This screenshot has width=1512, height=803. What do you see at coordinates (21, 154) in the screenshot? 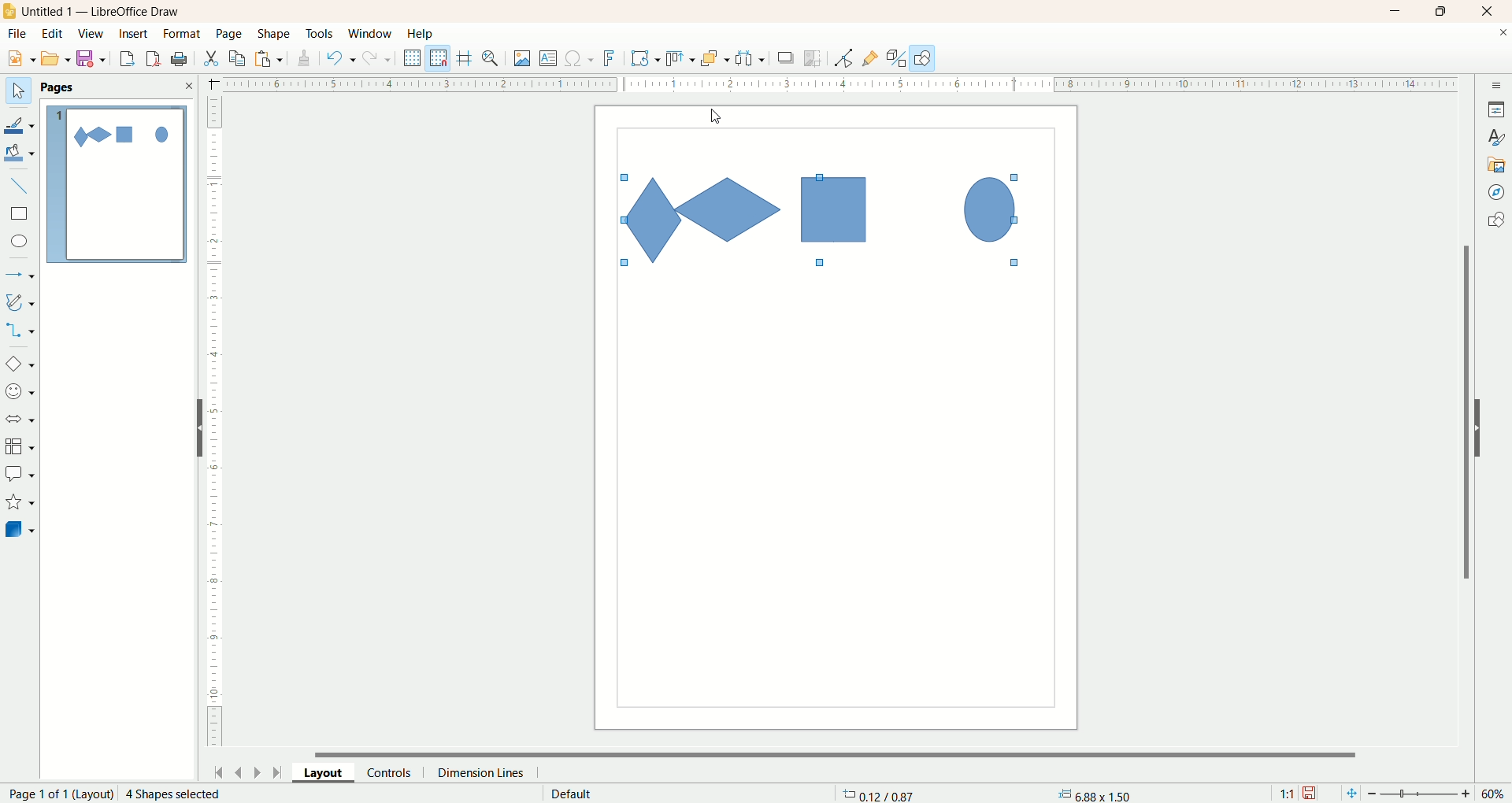
I see `fill color` at bounding box center [21, 154].